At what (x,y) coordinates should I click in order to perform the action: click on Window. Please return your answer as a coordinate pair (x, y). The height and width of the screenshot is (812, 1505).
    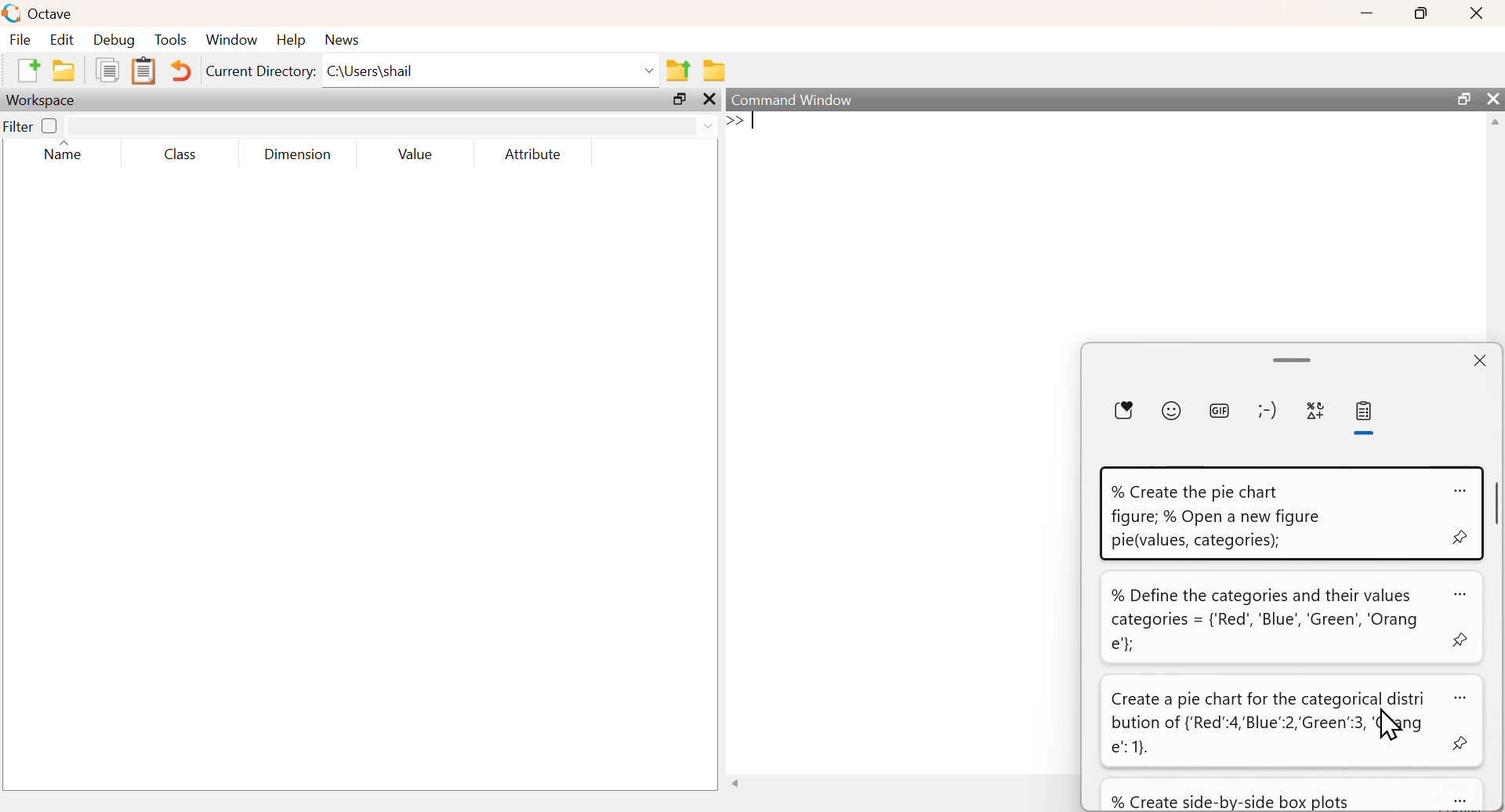
    Looking at the image, I should click on (232, 40).